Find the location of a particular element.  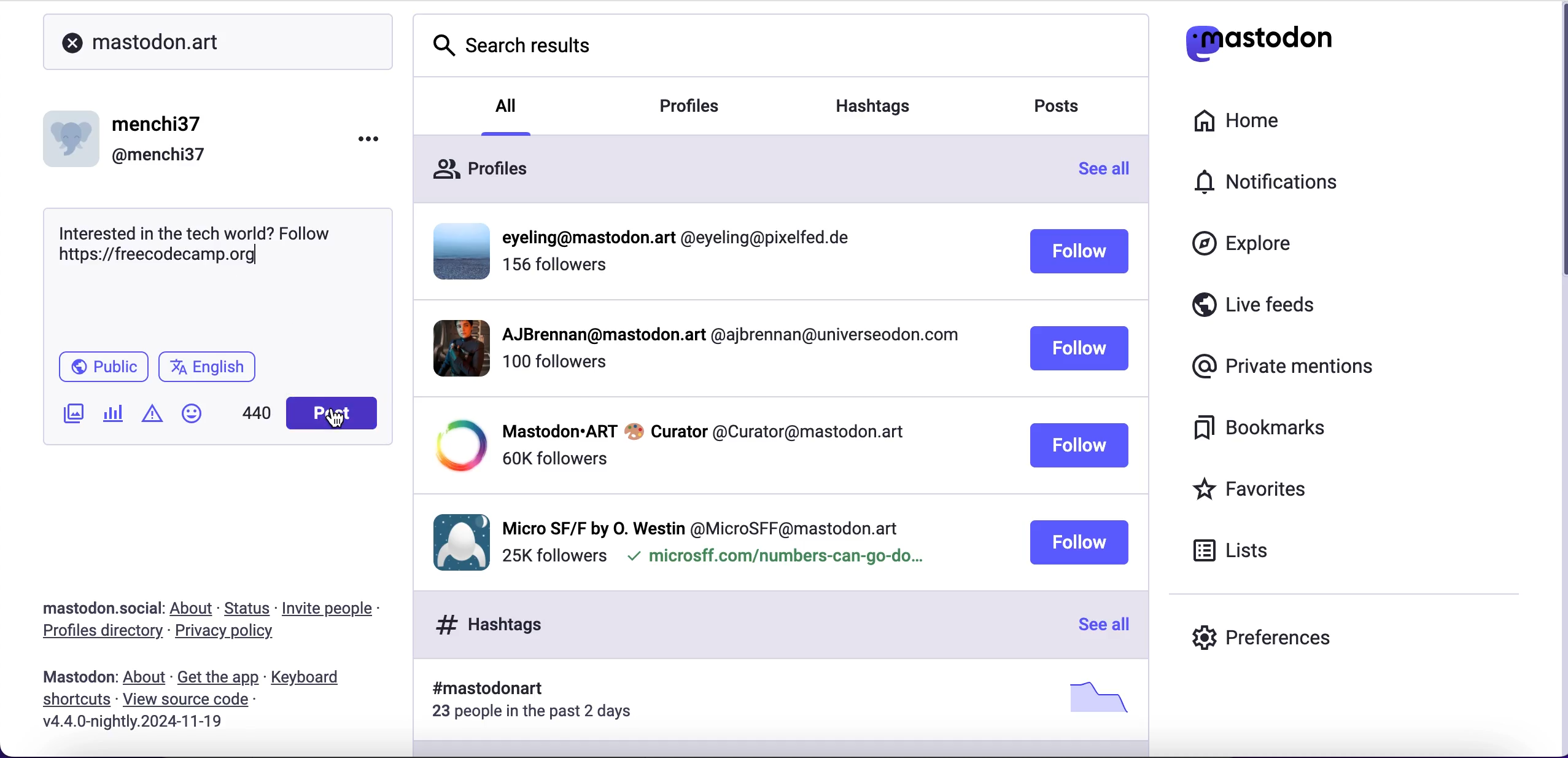

view source code is located at coordinates (190, 701).